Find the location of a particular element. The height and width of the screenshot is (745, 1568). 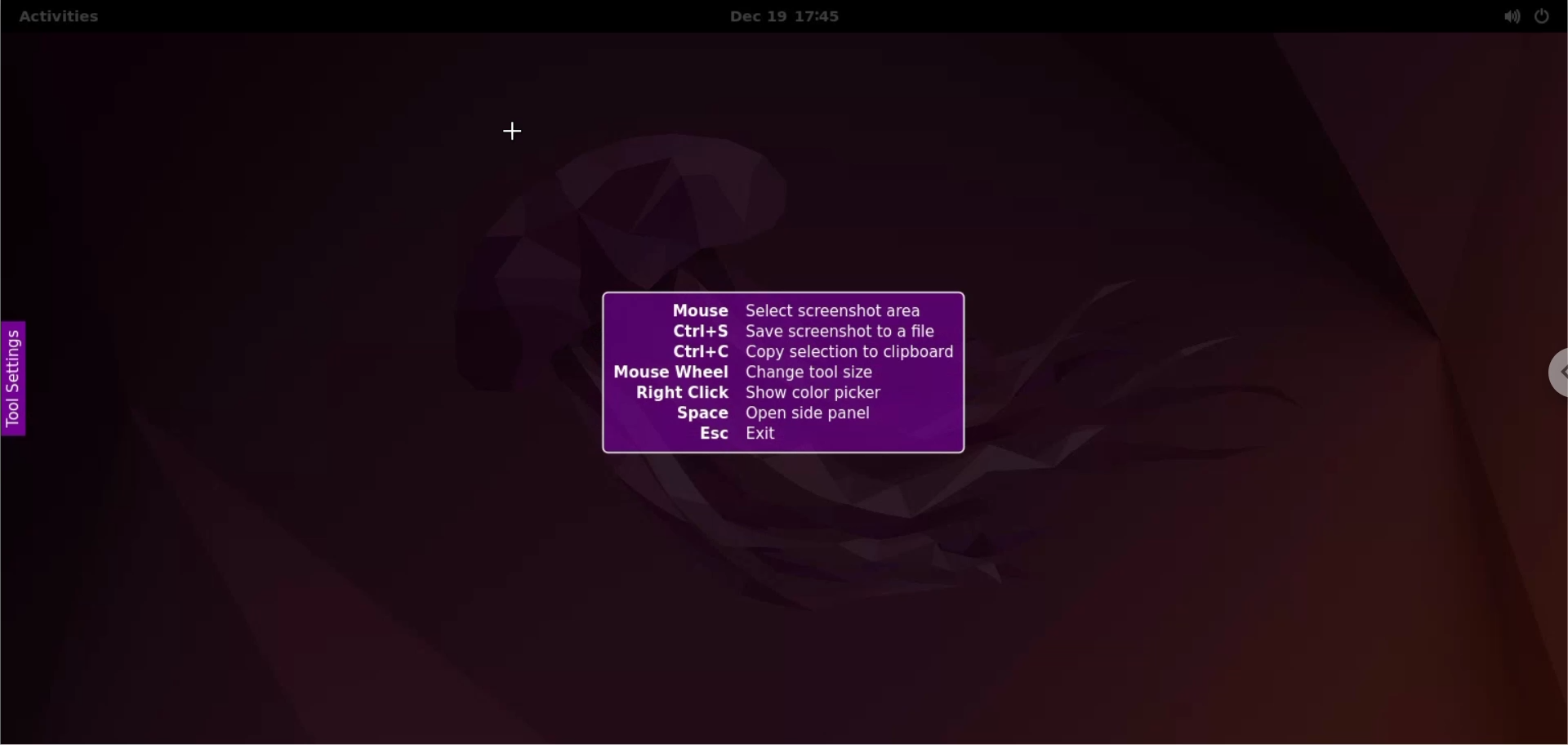

chrome options is located at coordinates (1548, 377).